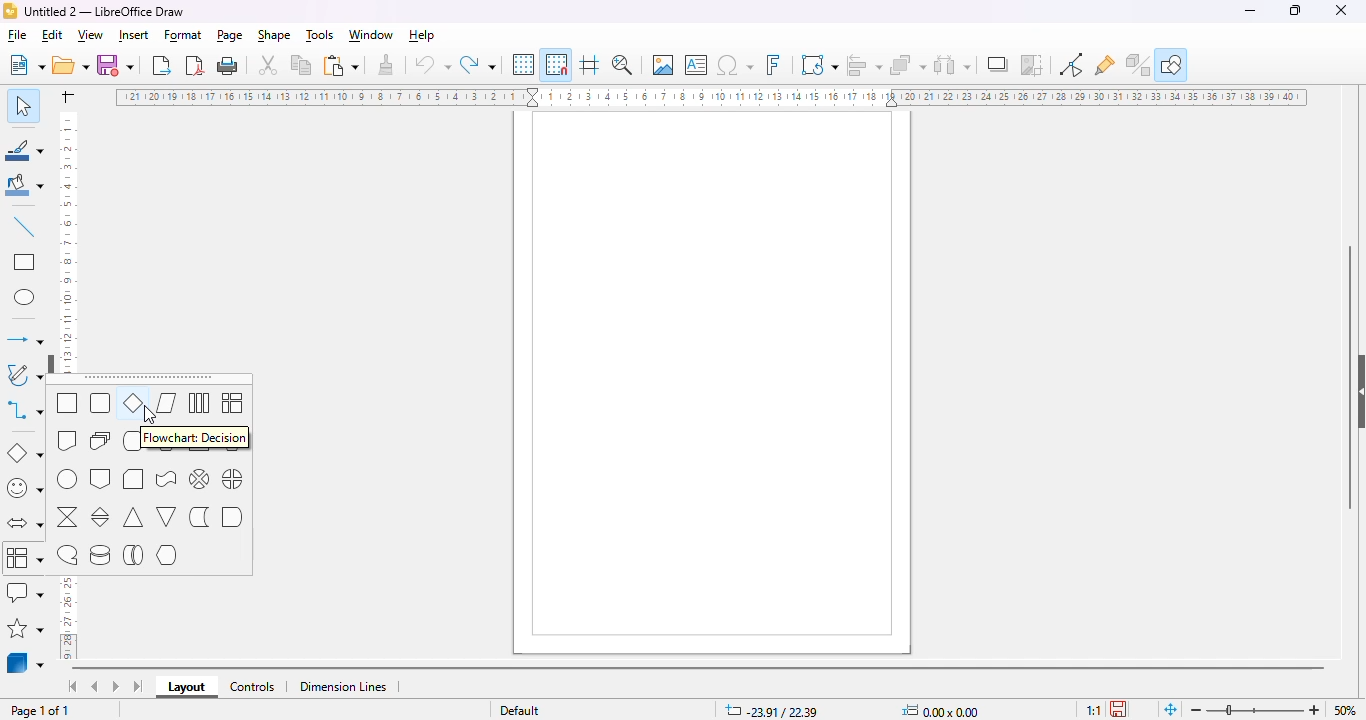  I want to click on 3D objects, so click(26, 663).